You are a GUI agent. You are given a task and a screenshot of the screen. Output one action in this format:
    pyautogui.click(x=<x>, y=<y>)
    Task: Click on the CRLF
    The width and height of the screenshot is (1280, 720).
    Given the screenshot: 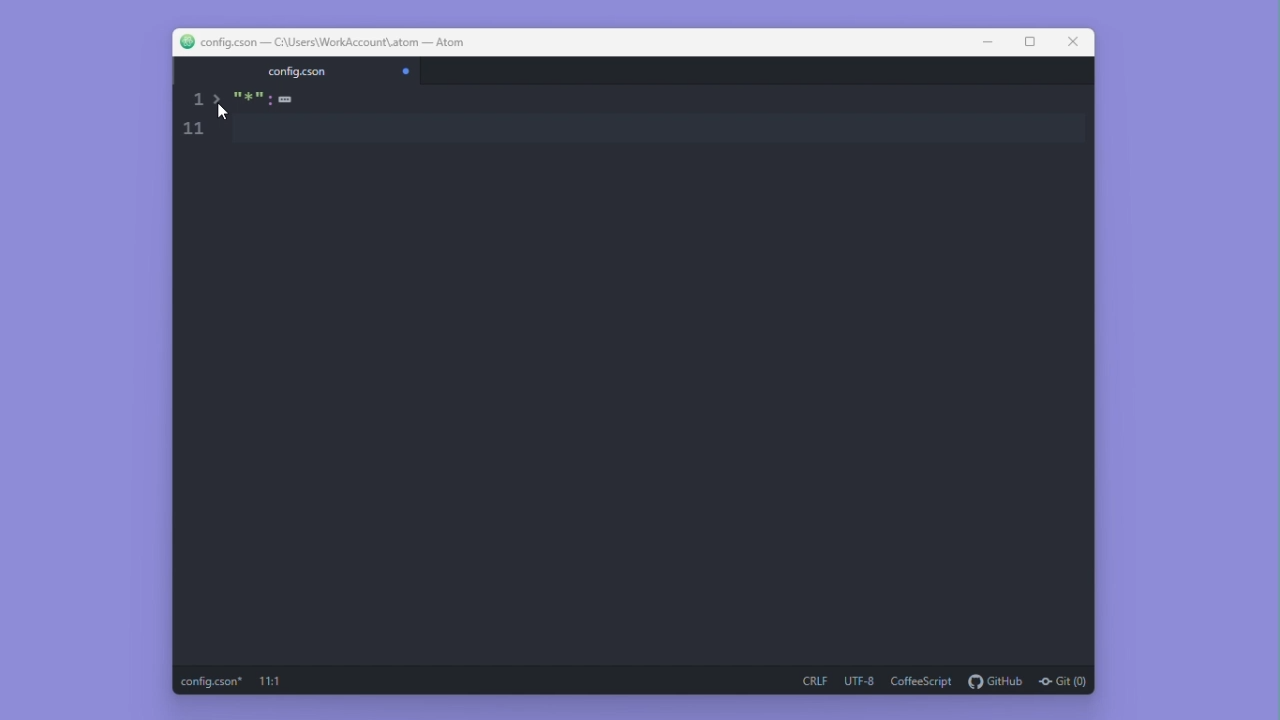 What is the action you would take?
    pyautogui.click(x=815, y=682)
    